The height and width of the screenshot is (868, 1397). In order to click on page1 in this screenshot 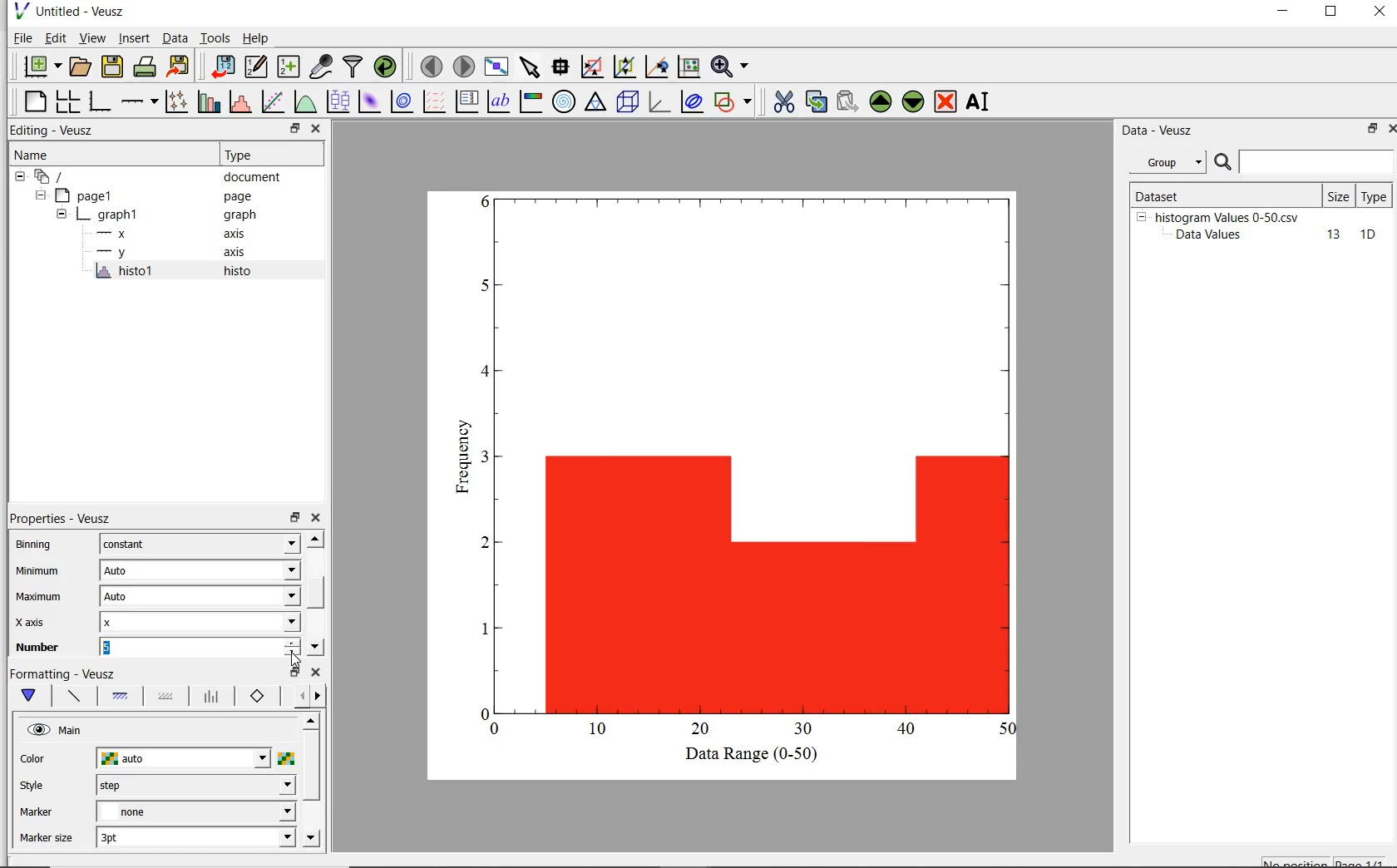, I will do `click(87, 197)`.